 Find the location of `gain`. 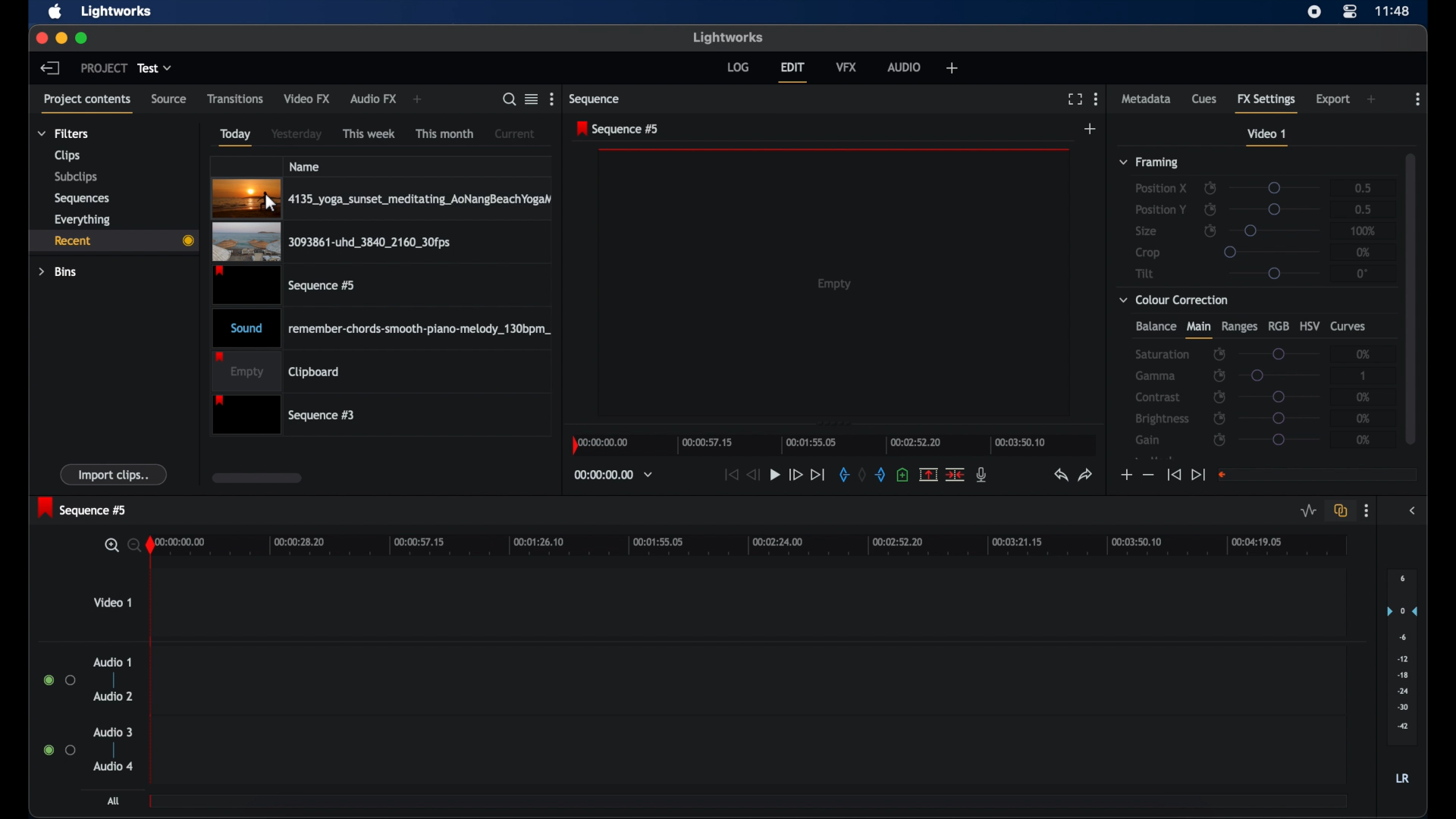

gain is located at coordinates (1147, 440).